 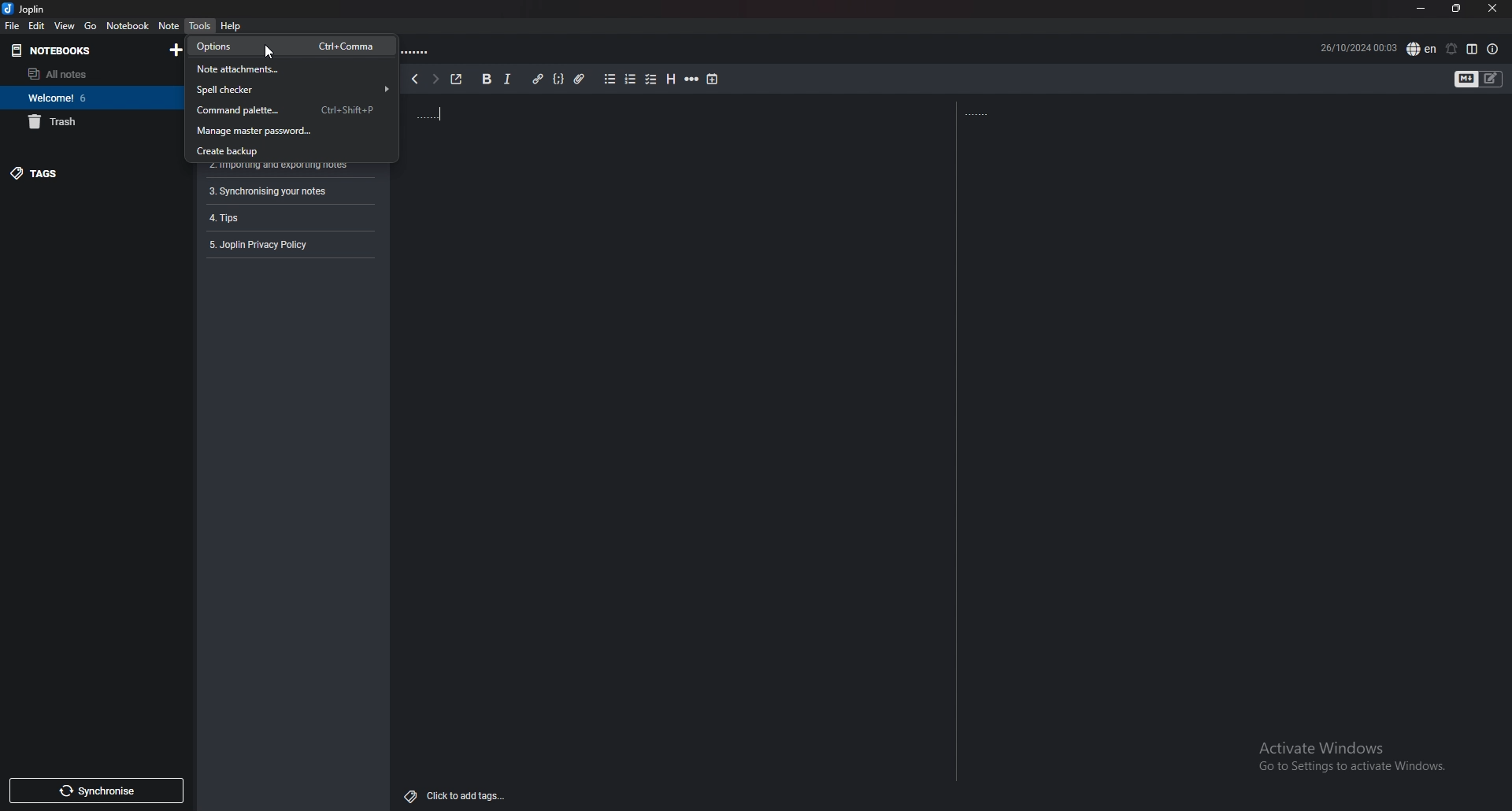 I want to click on Create backup, so click(x=287, y=150).